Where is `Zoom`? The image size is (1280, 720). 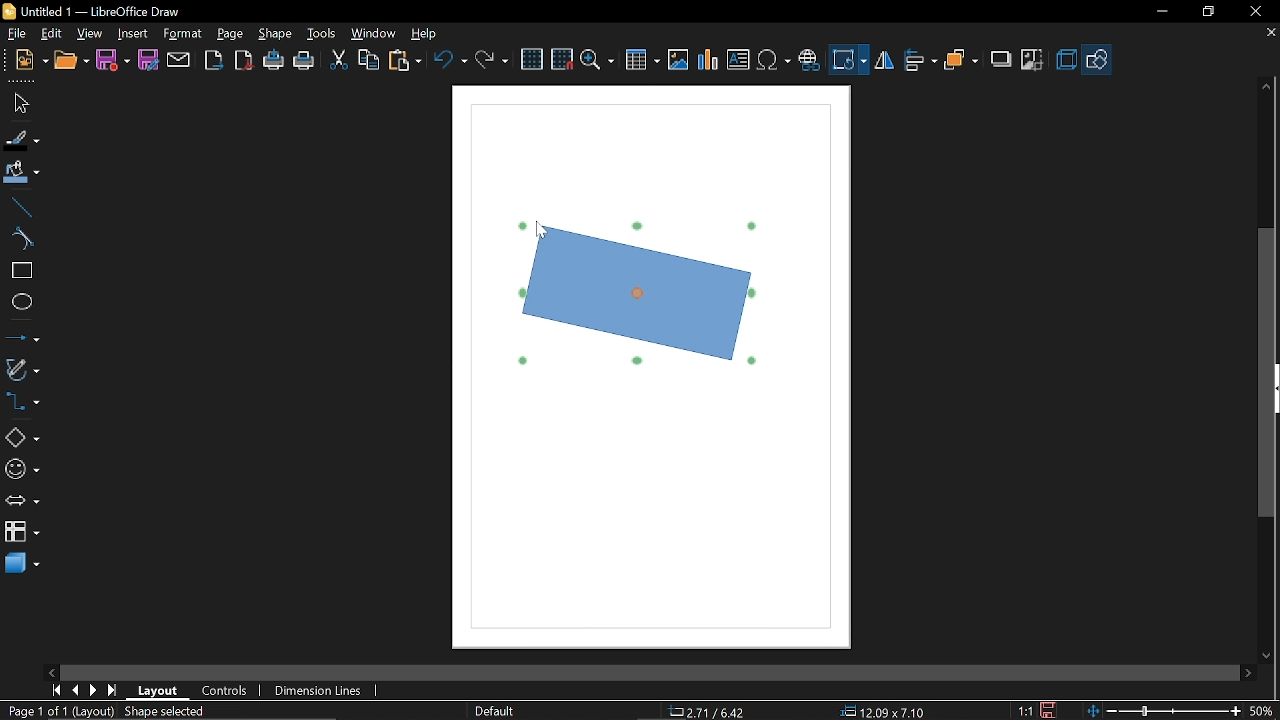 Zoom is located at coordinates (597, 61).